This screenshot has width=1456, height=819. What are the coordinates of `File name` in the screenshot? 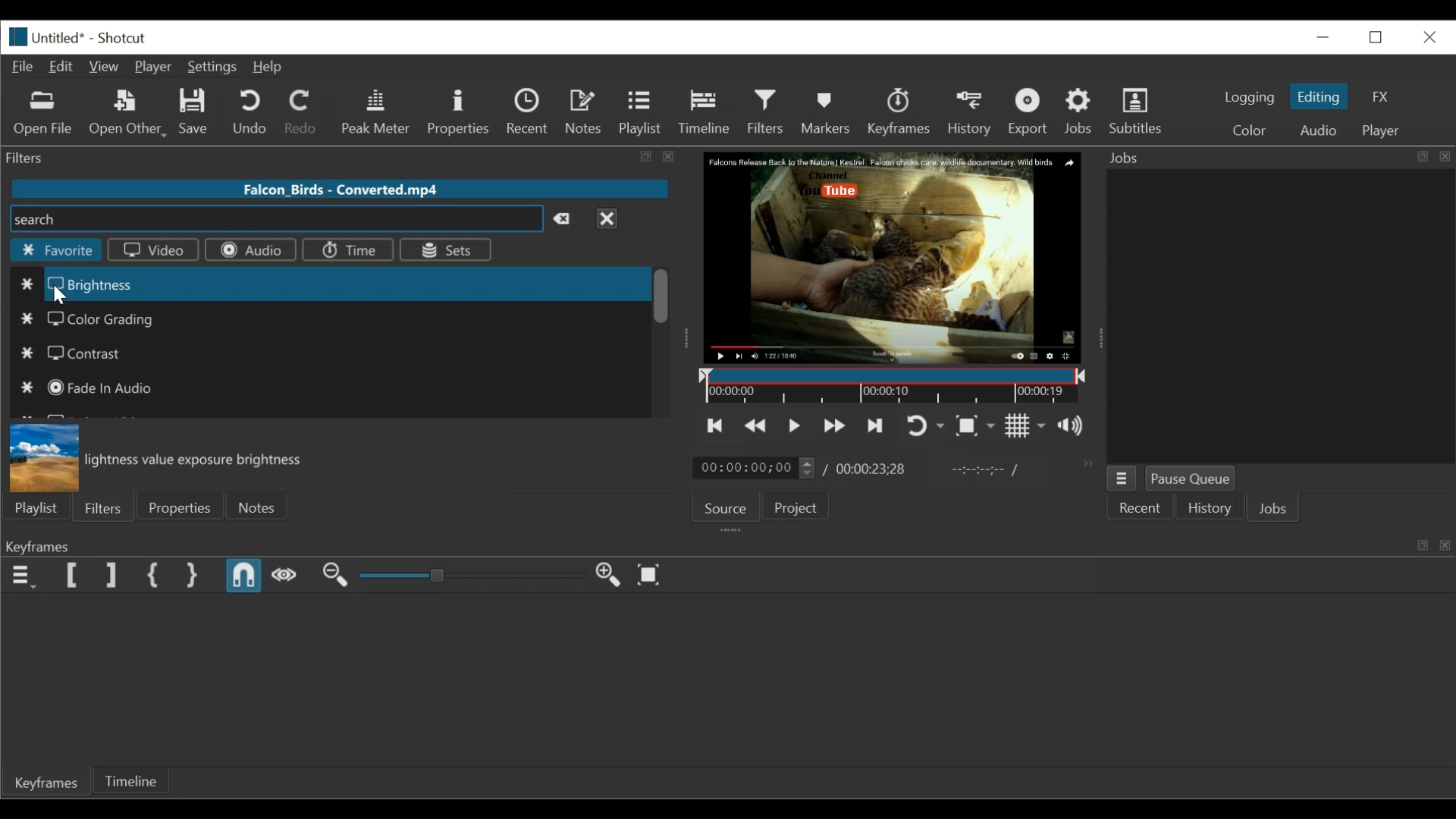 It's located at (340, 189).